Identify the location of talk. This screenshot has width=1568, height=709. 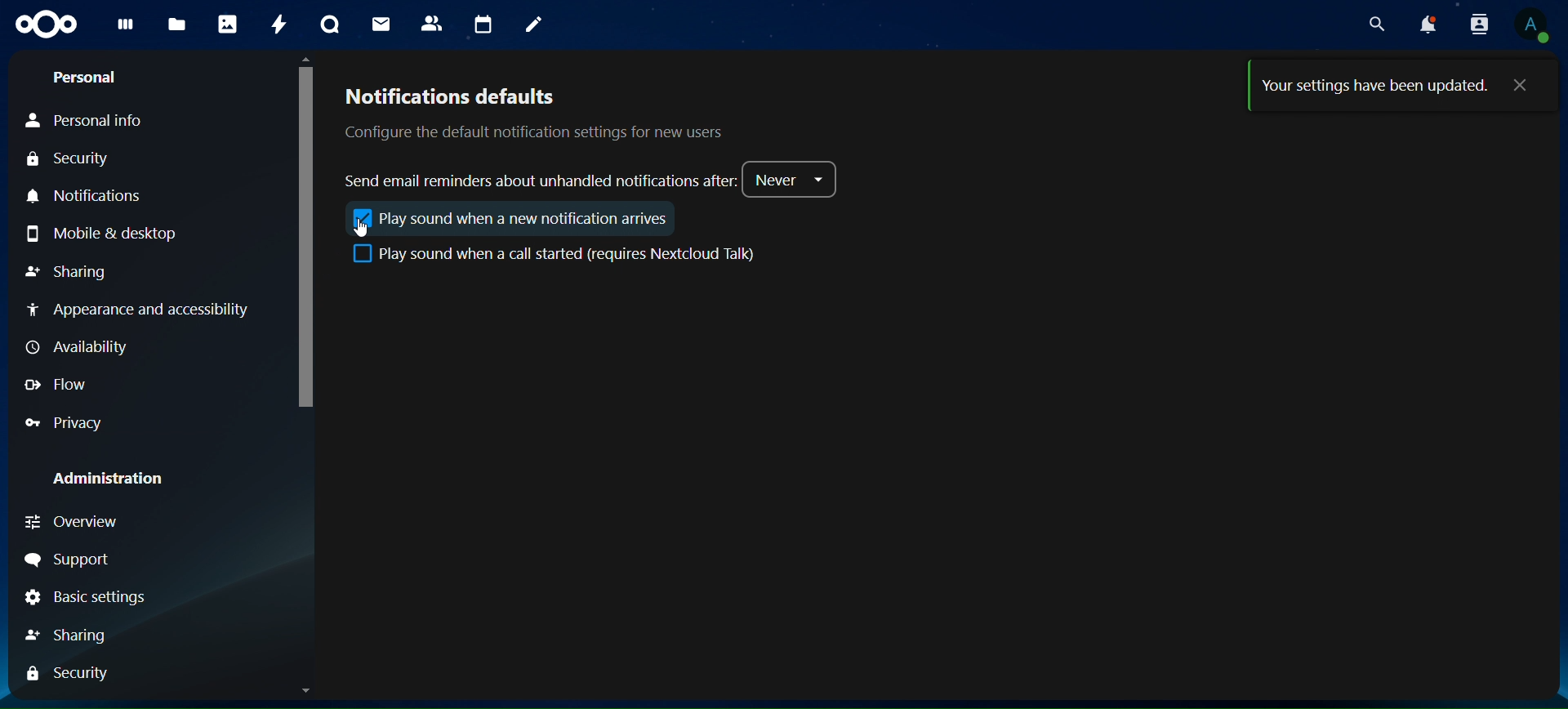
(327, 26).